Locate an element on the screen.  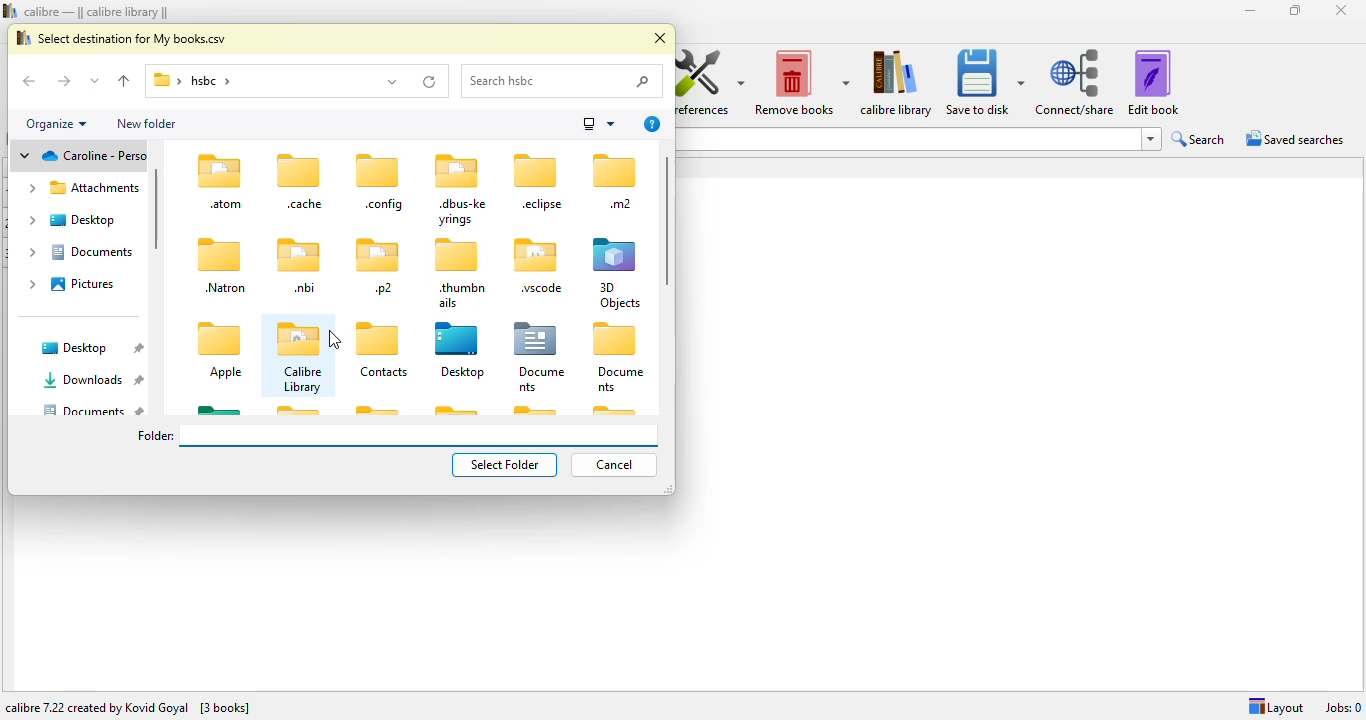
saved searches is located at coordinates (1295, 139).